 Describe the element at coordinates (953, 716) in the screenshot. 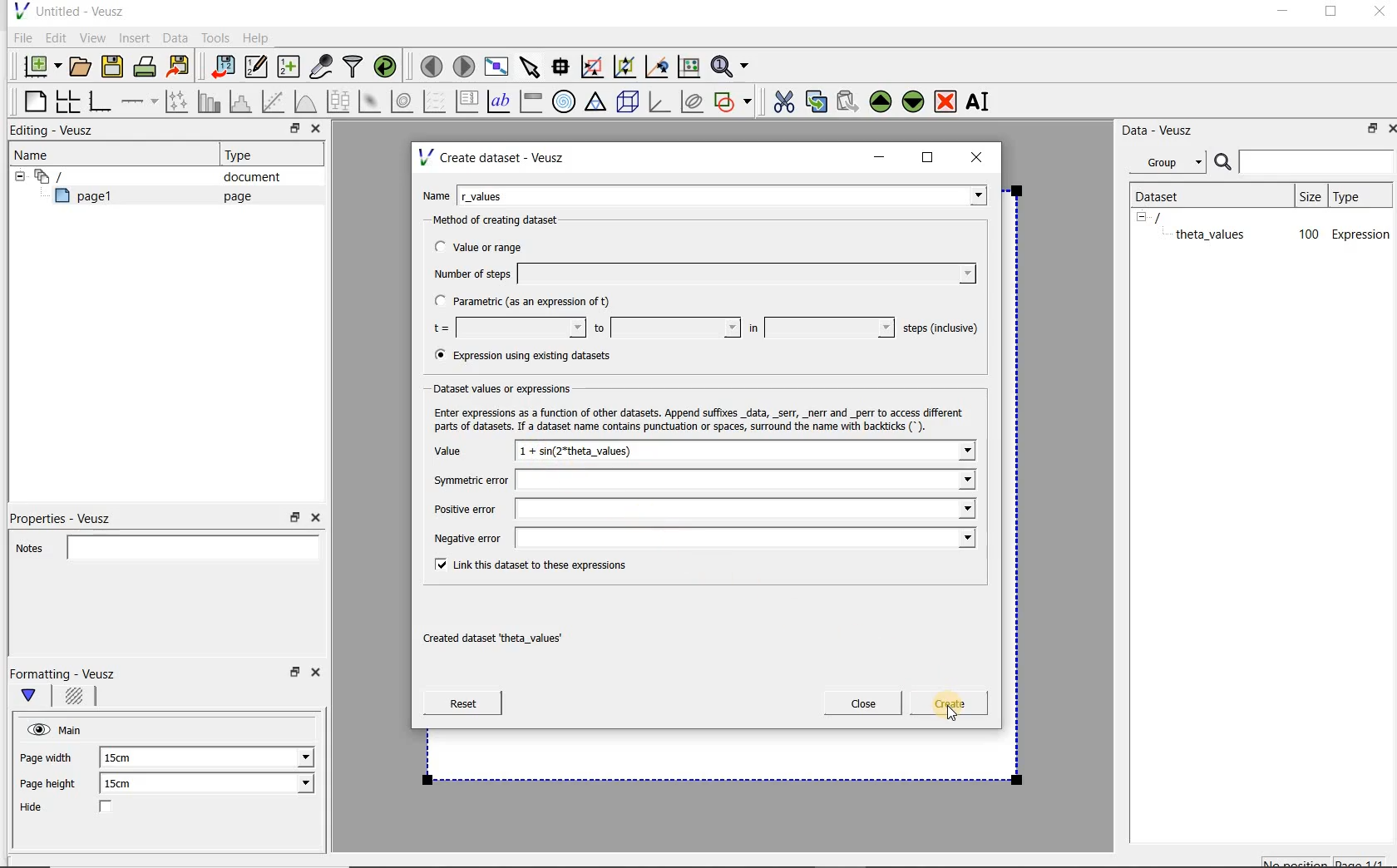

I see `Cursor` at that location.